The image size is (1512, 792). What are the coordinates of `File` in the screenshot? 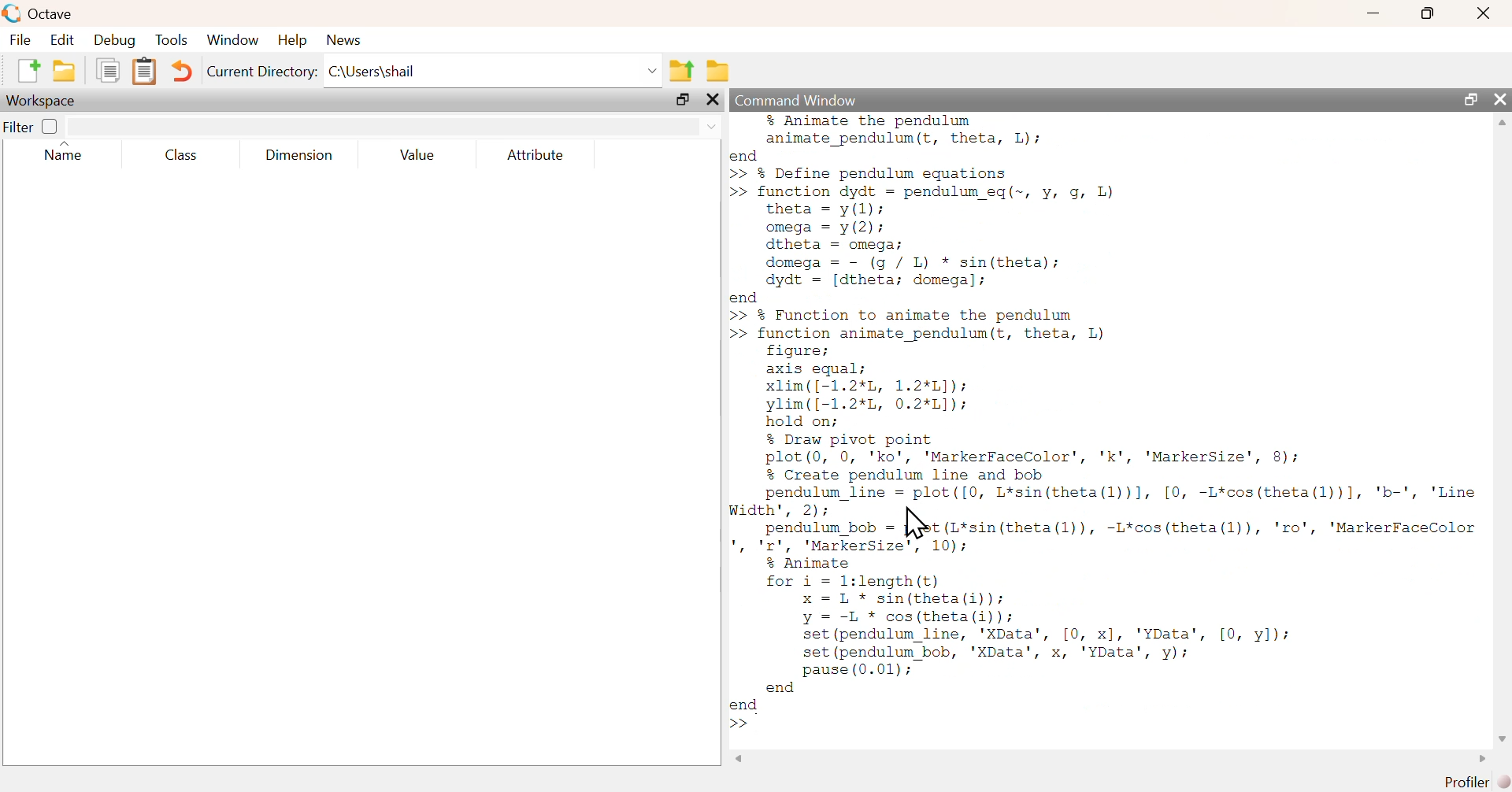 It's located at (19, 39).